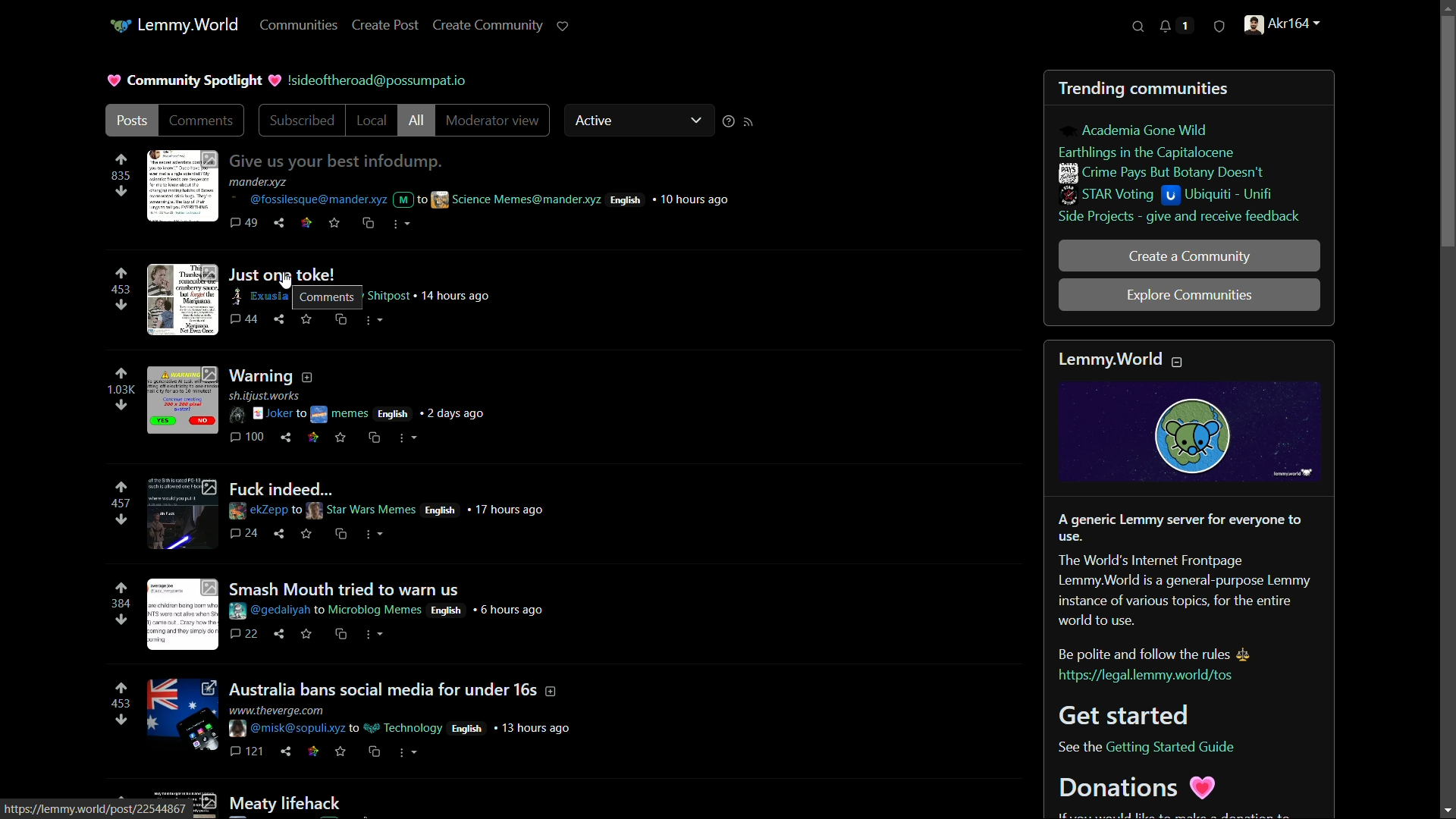 Image resolution: width=1456 pixels, height=819 pixels. Describe the element at coordinates (279, 319) in the screenshot. I see `share` at that location.